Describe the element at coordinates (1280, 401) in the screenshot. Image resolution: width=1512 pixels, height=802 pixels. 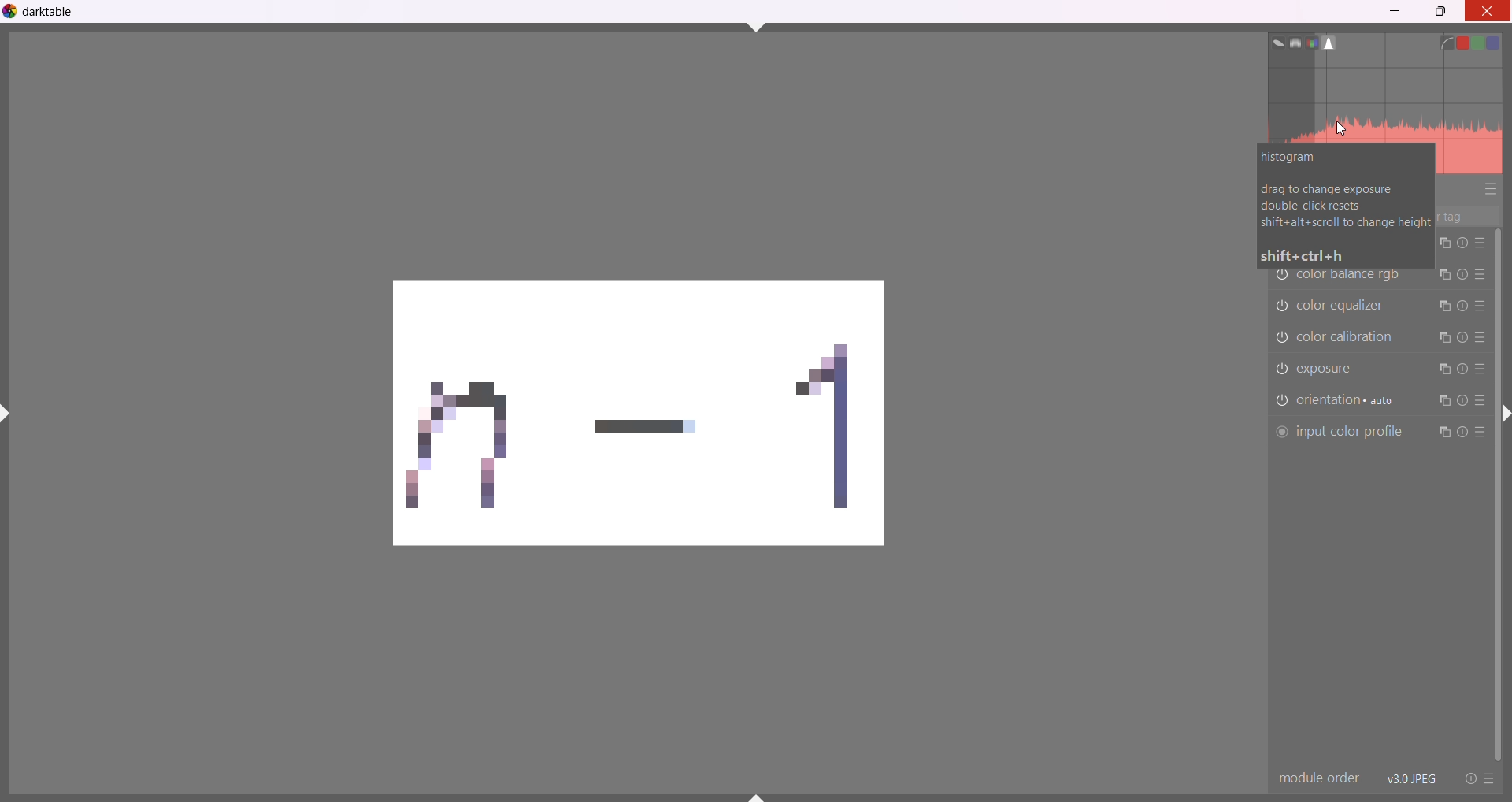
I see `orientation switched off` at that location.